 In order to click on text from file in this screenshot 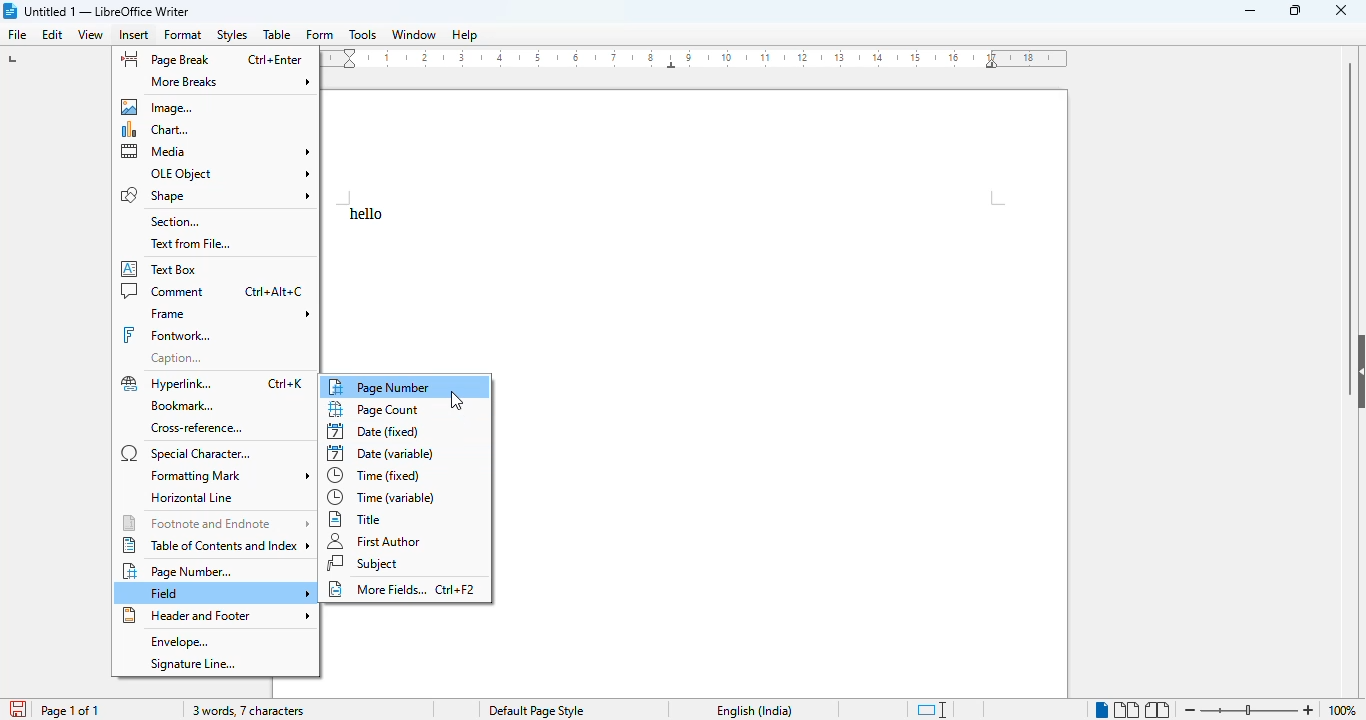, I will do `click(191, 243)`.